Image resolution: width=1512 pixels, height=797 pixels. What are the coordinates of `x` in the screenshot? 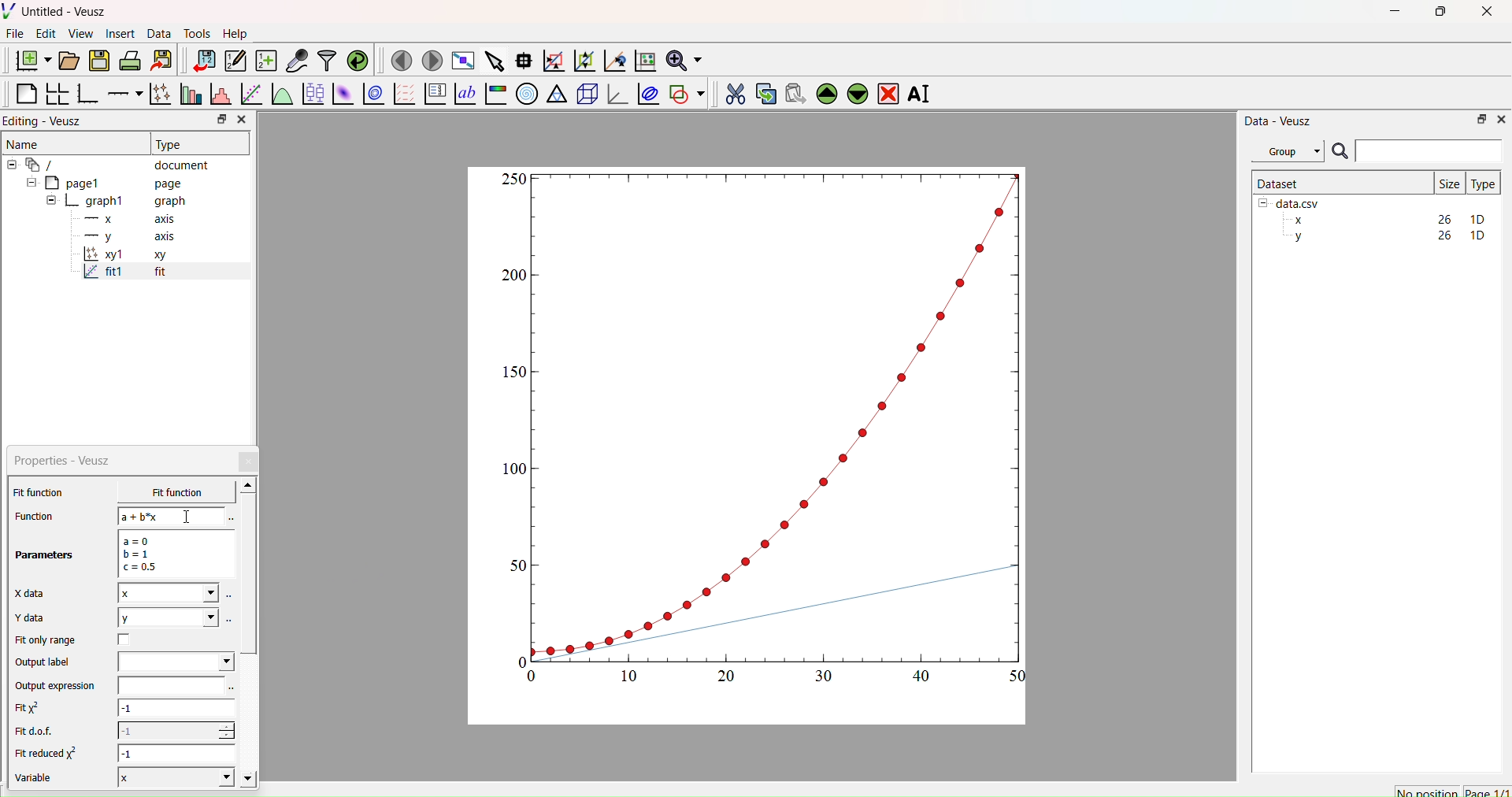 It's located at (165, 492).